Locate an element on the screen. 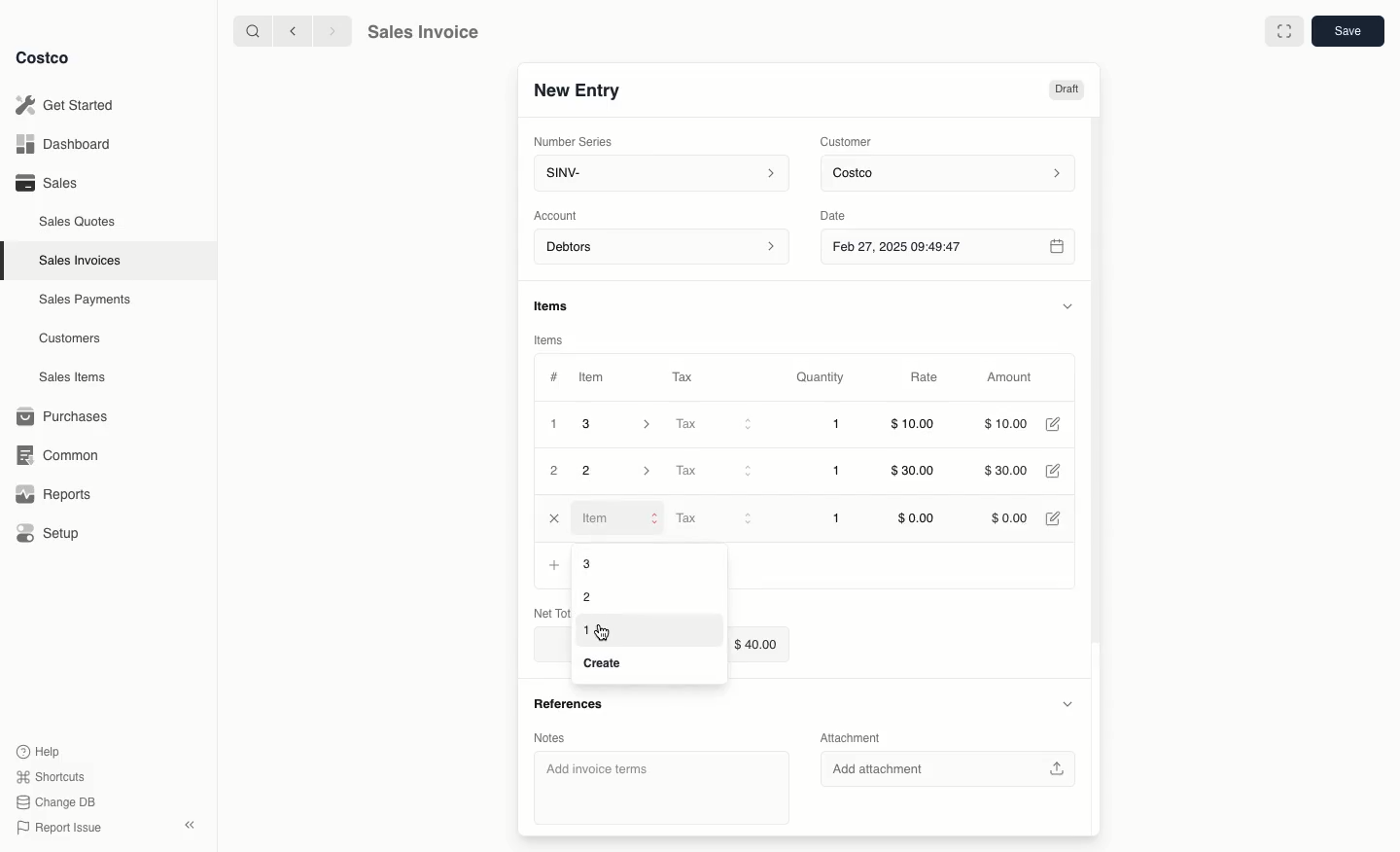 This screenshot has height=852, width=1400. search is located at coordinates (249, 30).